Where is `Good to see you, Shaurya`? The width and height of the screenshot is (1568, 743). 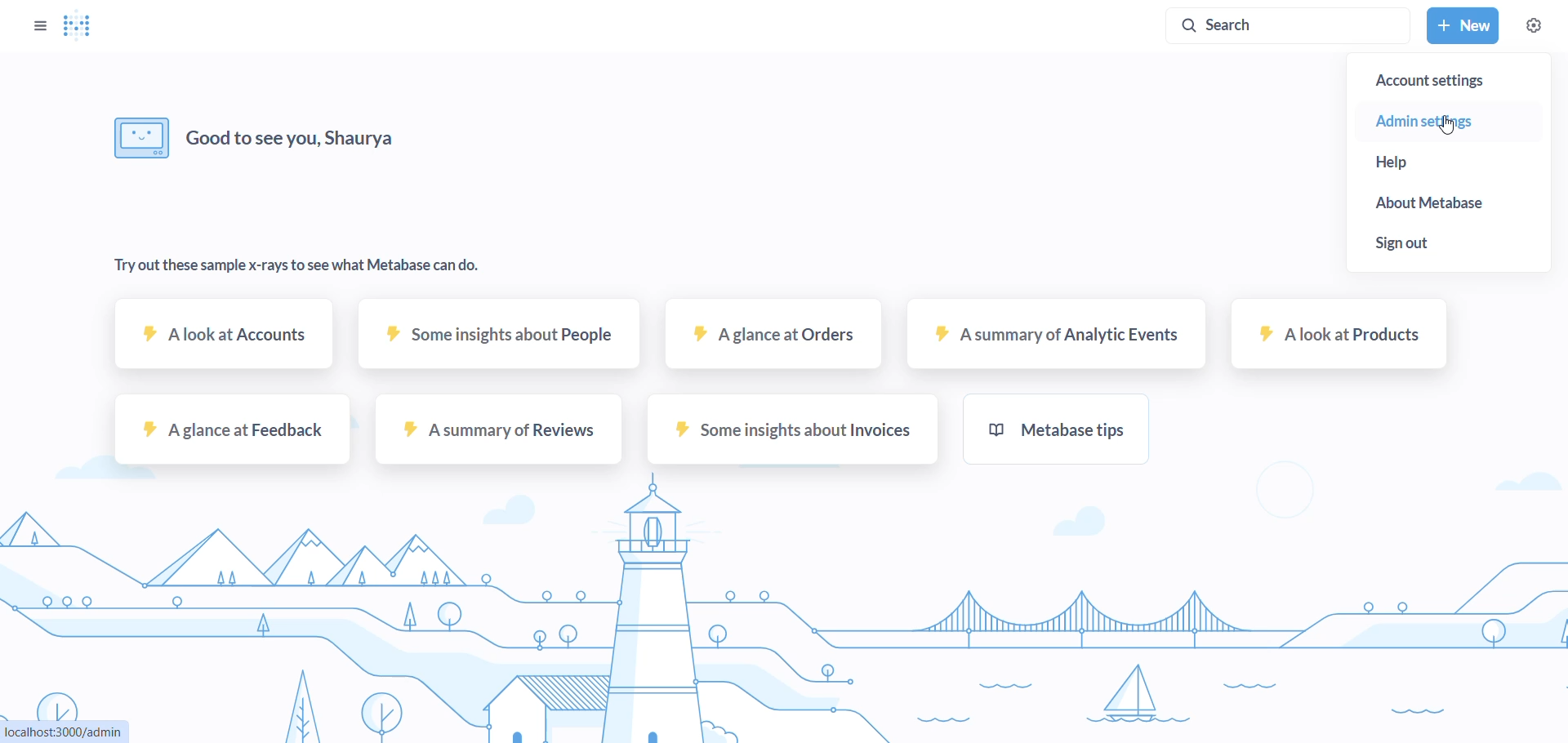
Good to see you, Shaurya is located at coordinates (257, 137).